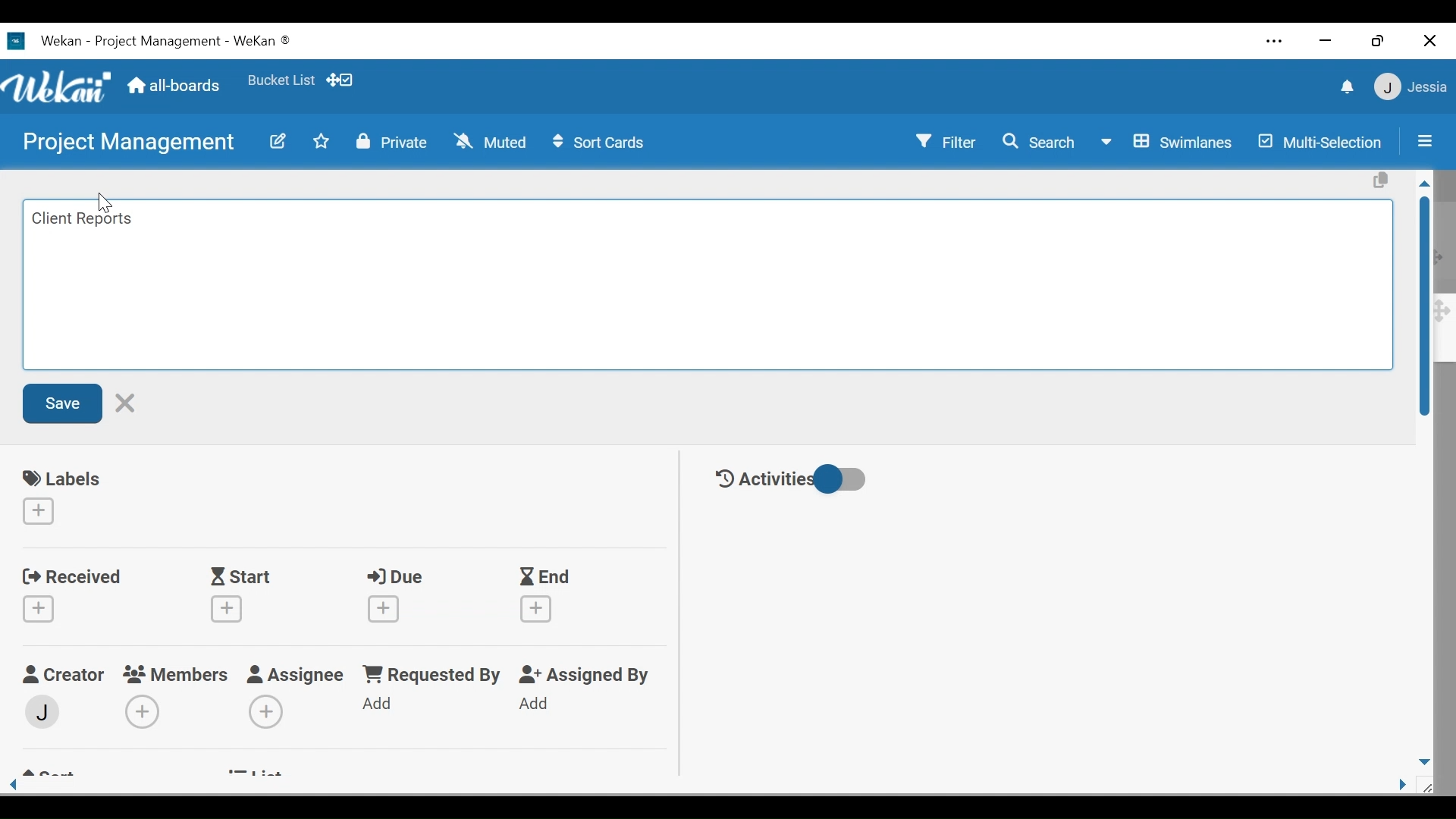 The height and width of the screenshot is (819, 1456). Describe the element at coordinates (586, 676) in the screenshot. I see `Assigned By` at that location.